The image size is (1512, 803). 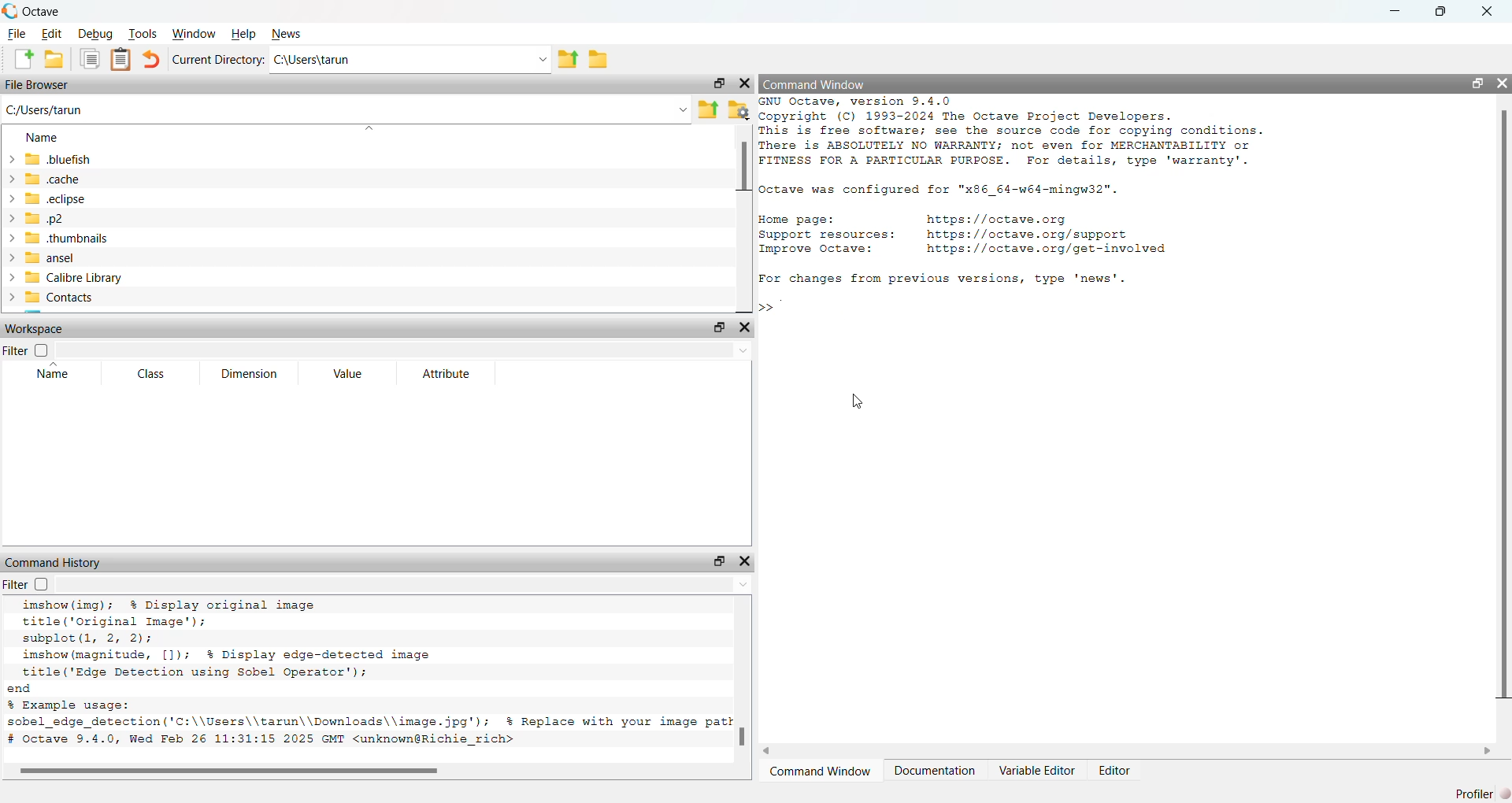 What do you see at coordinates (1114, 772) in the screenshot?
I see `editor` at bounding box center [1114, 772].